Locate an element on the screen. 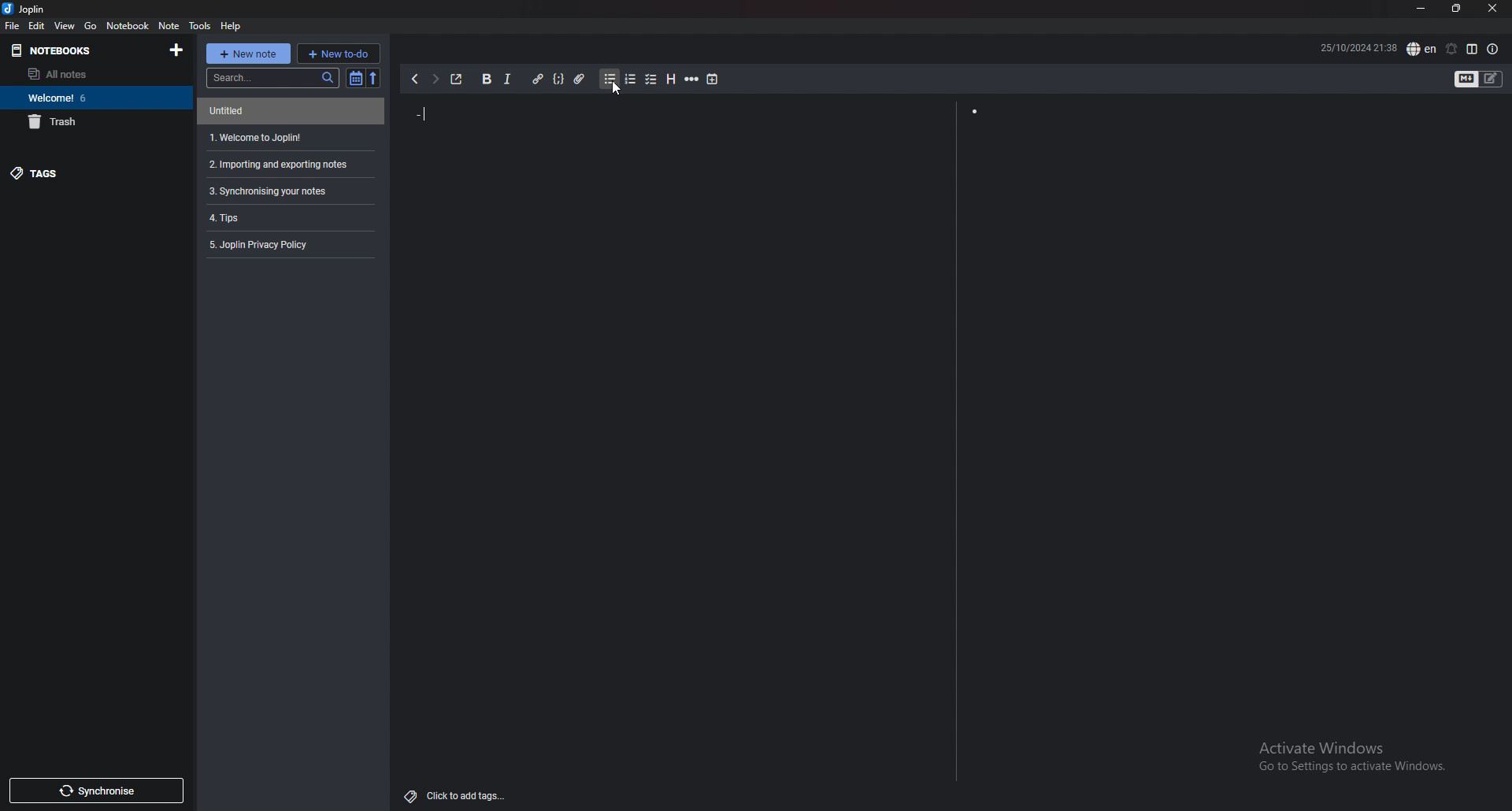  bullet list is located at coordinates (603, 78).